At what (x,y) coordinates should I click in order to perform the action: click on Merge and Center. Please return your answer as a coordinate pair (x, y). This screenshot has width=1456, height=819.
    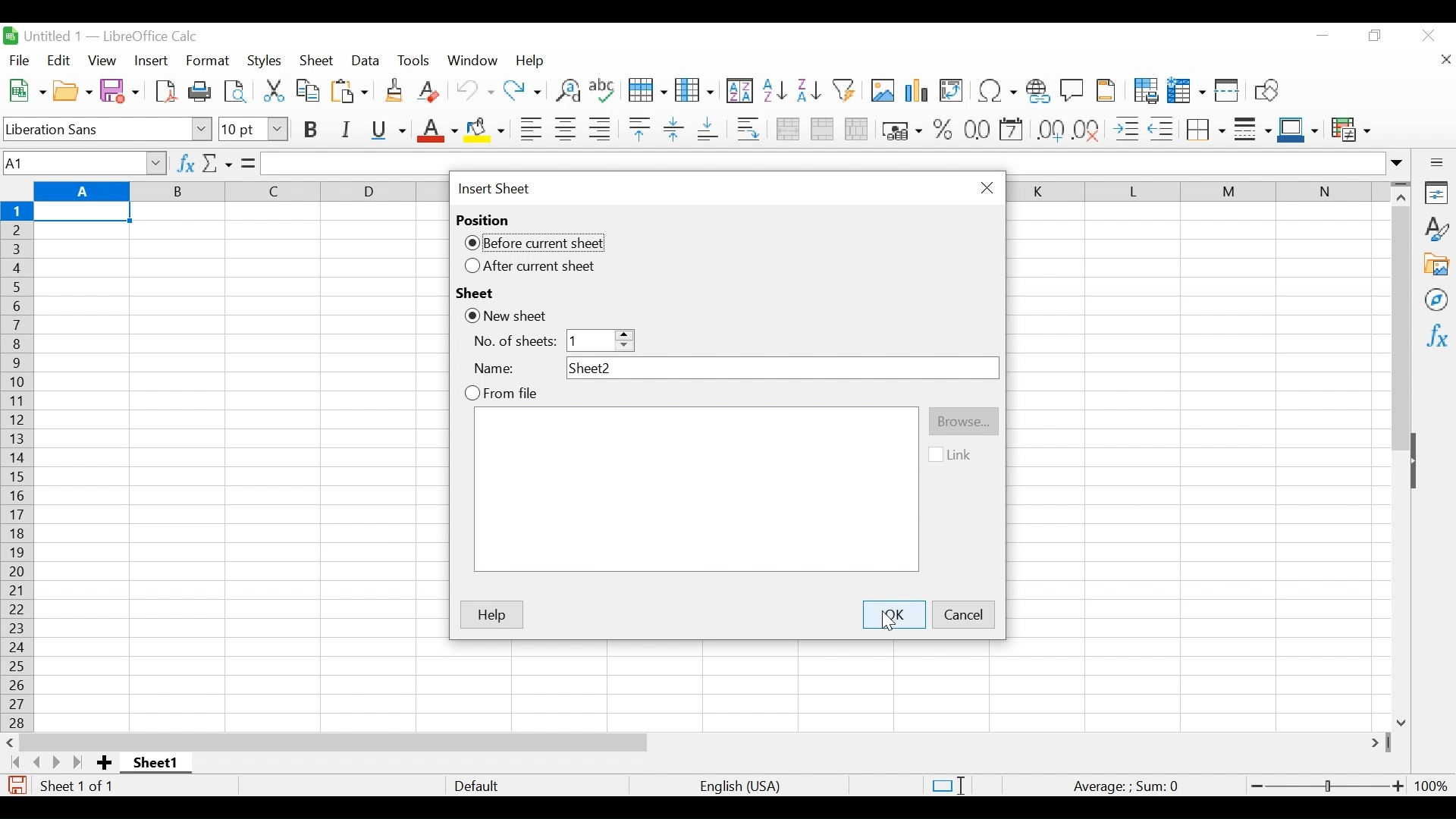
    Looking at the image, I should click on (786, 129).